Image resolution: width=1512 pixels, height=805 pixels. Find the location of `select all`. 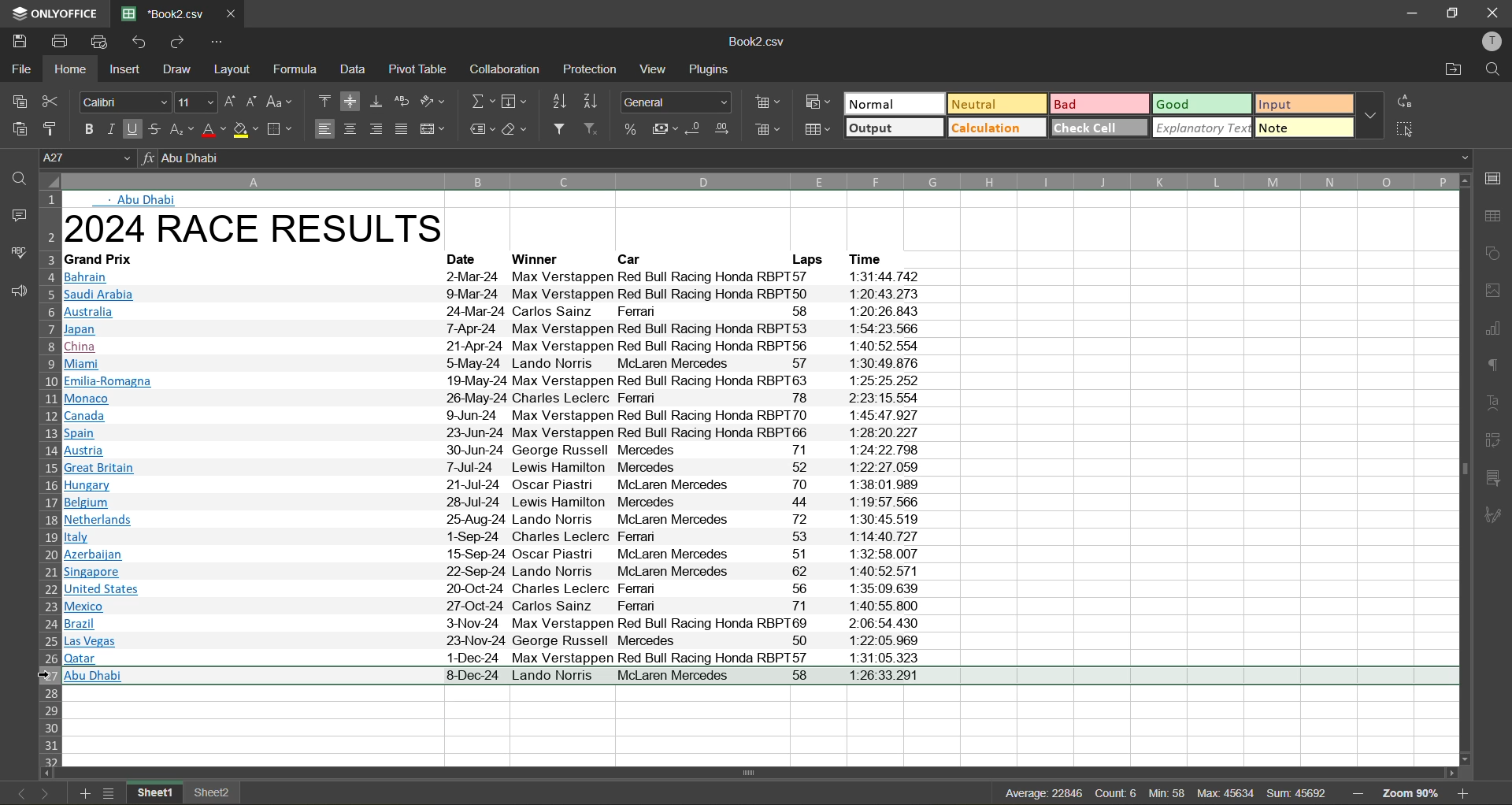

select all is located at coordinates (1406, 128).